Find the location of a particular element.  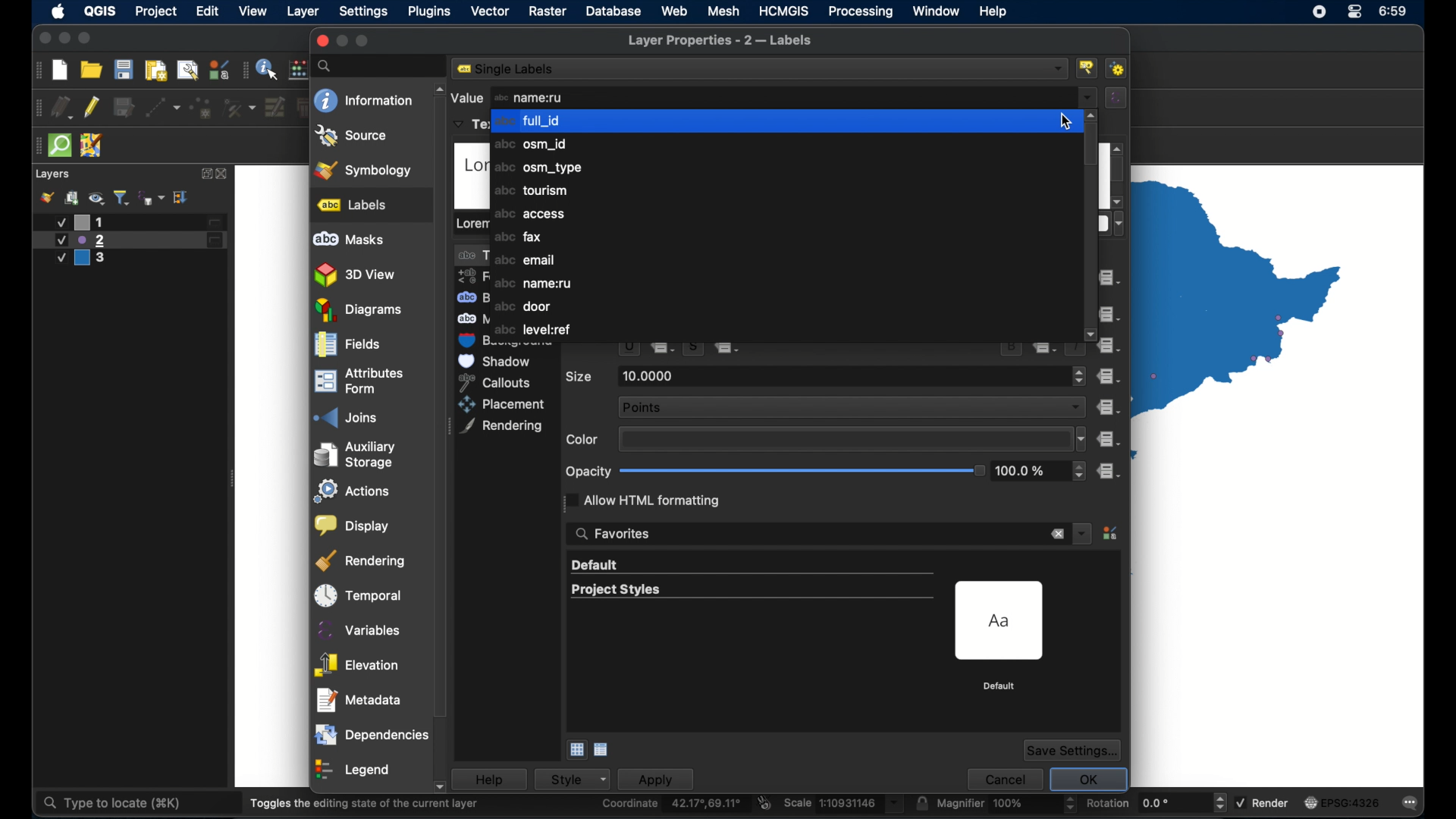

inactive  minimize button is located at coordinates (342, 41).